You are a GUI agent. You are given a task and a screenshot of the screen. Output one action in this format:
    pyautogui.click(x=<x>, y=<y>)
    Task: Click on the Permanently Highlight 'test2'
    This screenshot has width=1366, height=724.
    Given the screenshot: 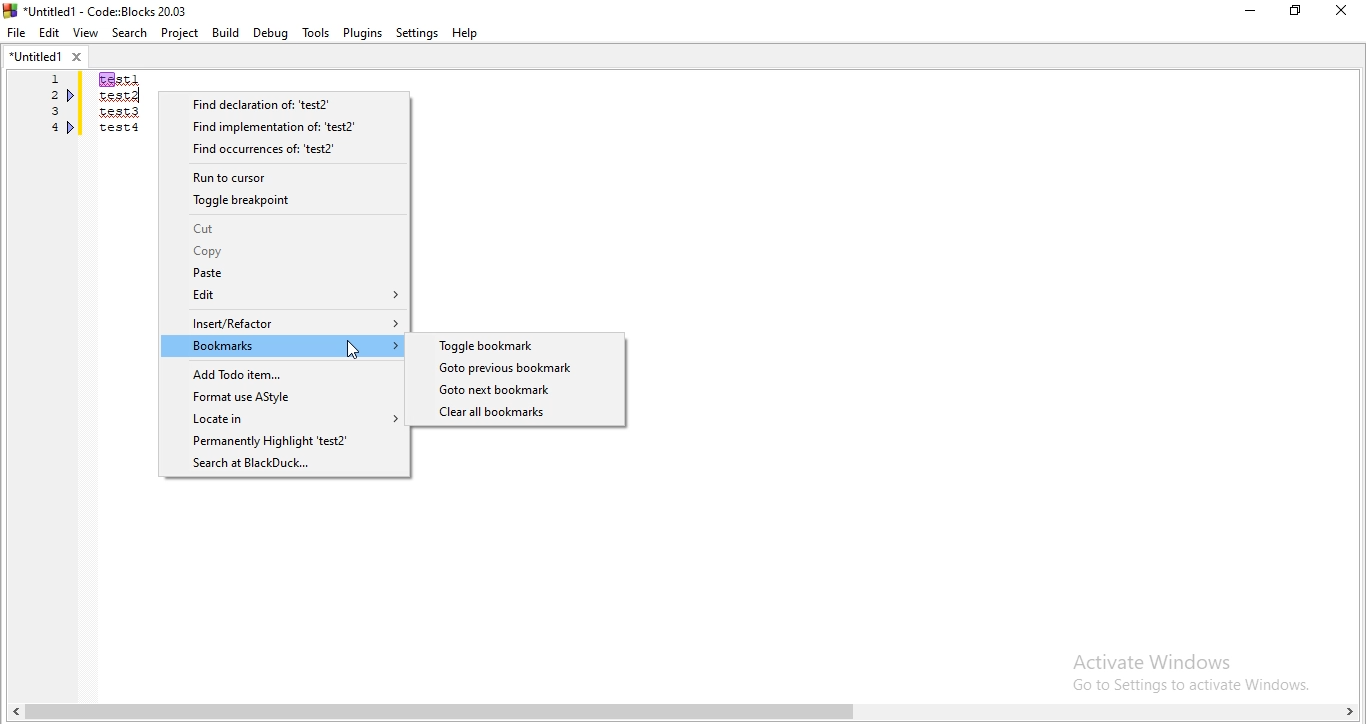 What is the action you would take?
    pyautogui.click(x=282, y=441)
    